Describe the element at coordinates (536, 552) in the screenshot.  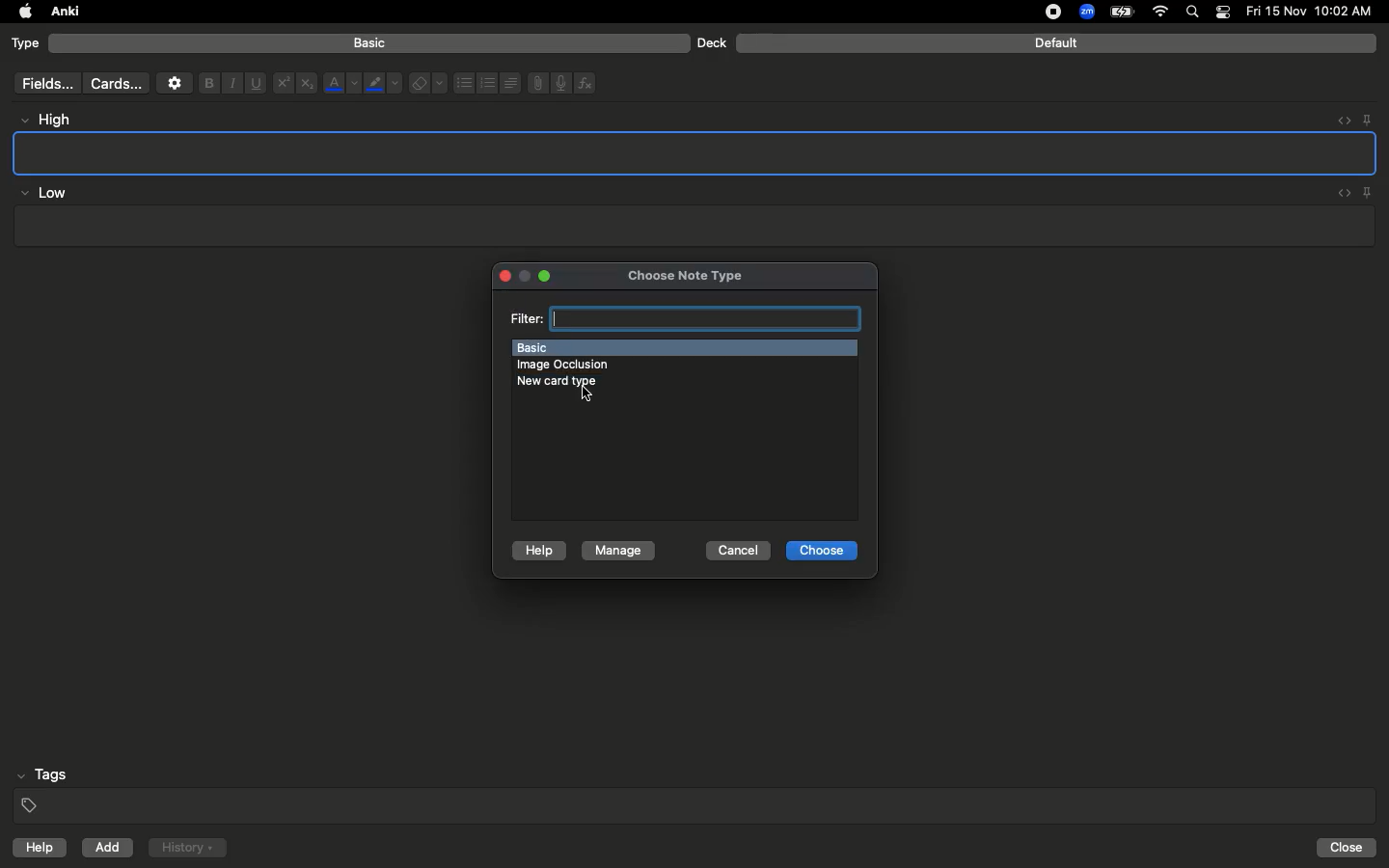
I see `Help` at that location.